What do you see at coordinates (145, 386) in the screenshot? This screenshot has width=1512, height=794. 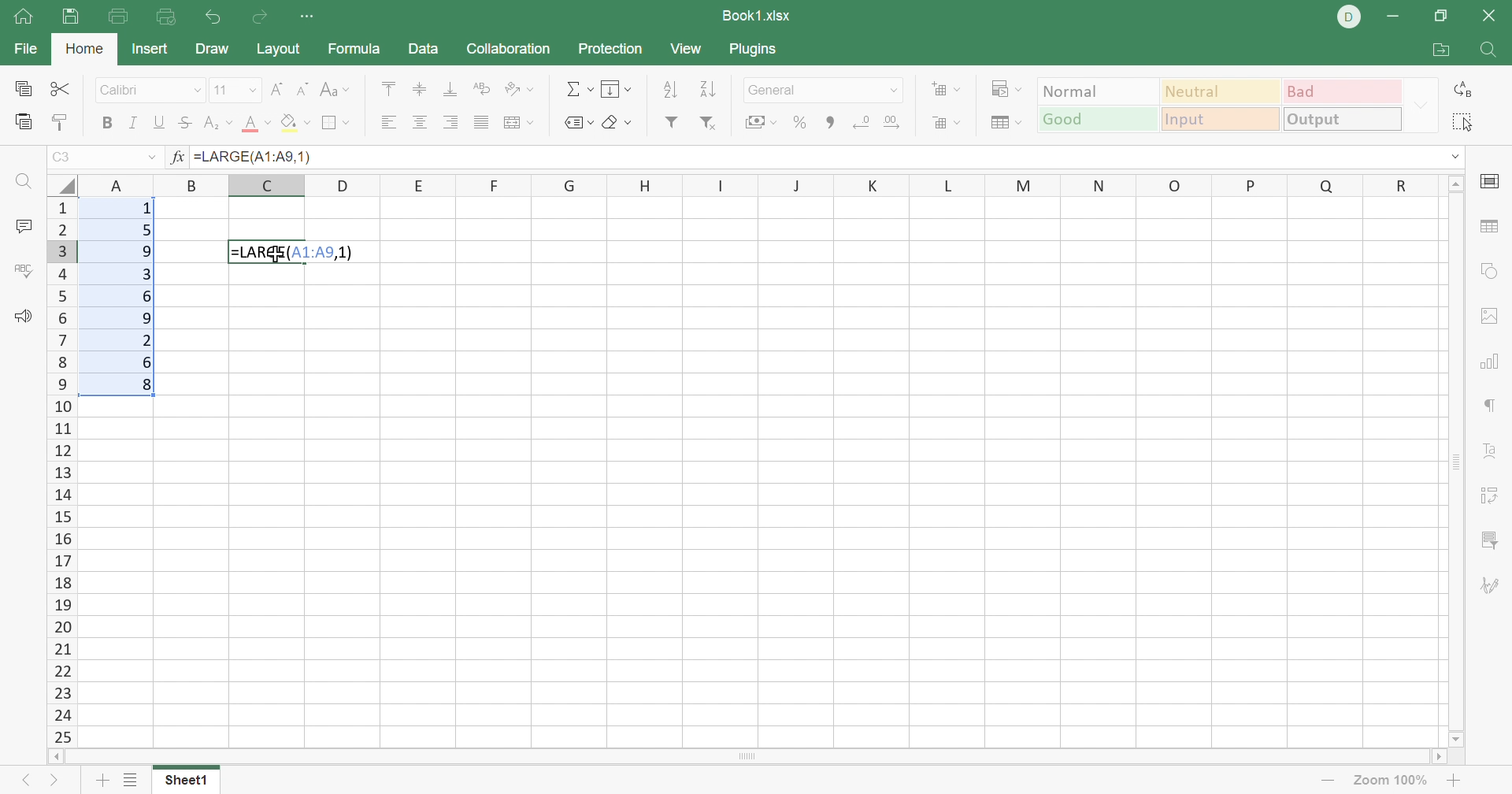 I see `8` at bounding box center [145, 386].